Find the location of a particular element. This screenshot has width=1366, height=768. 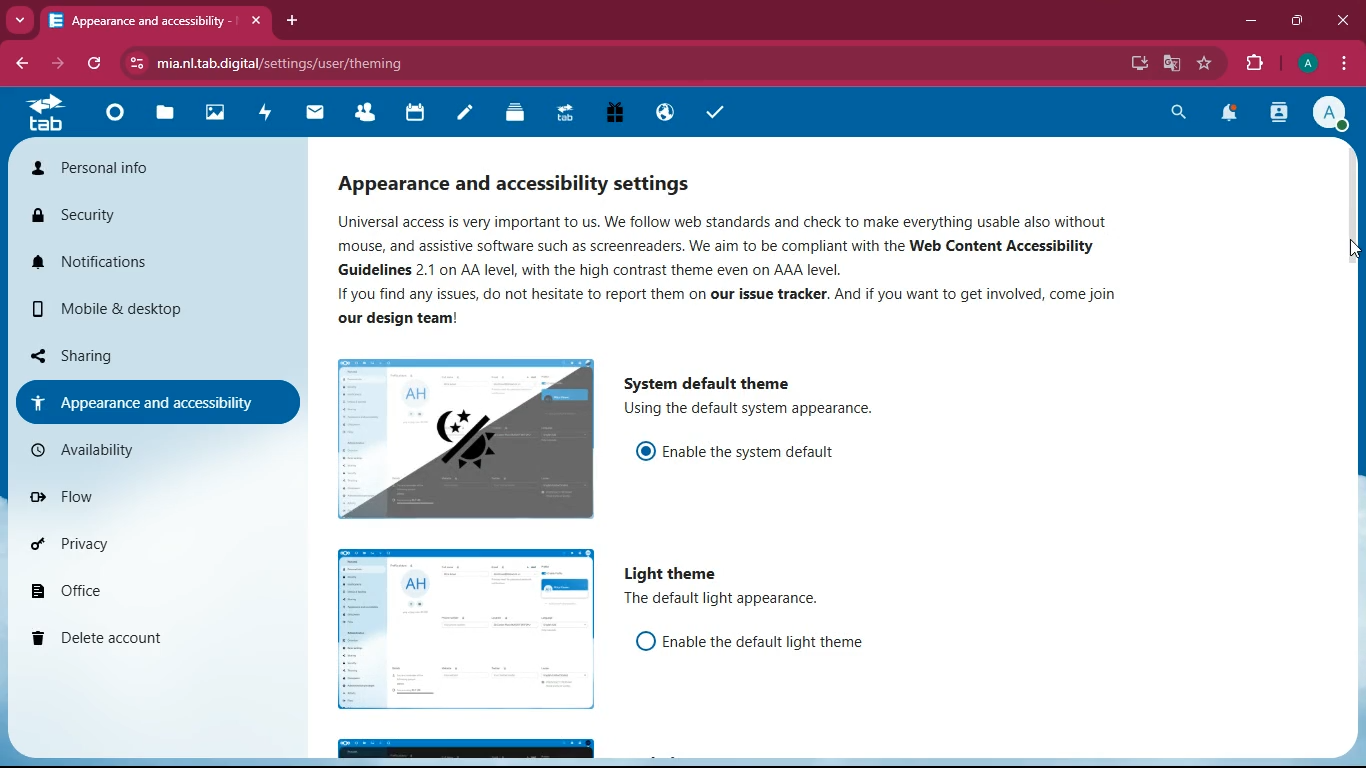

extension is located at coordinates (1252, 64).